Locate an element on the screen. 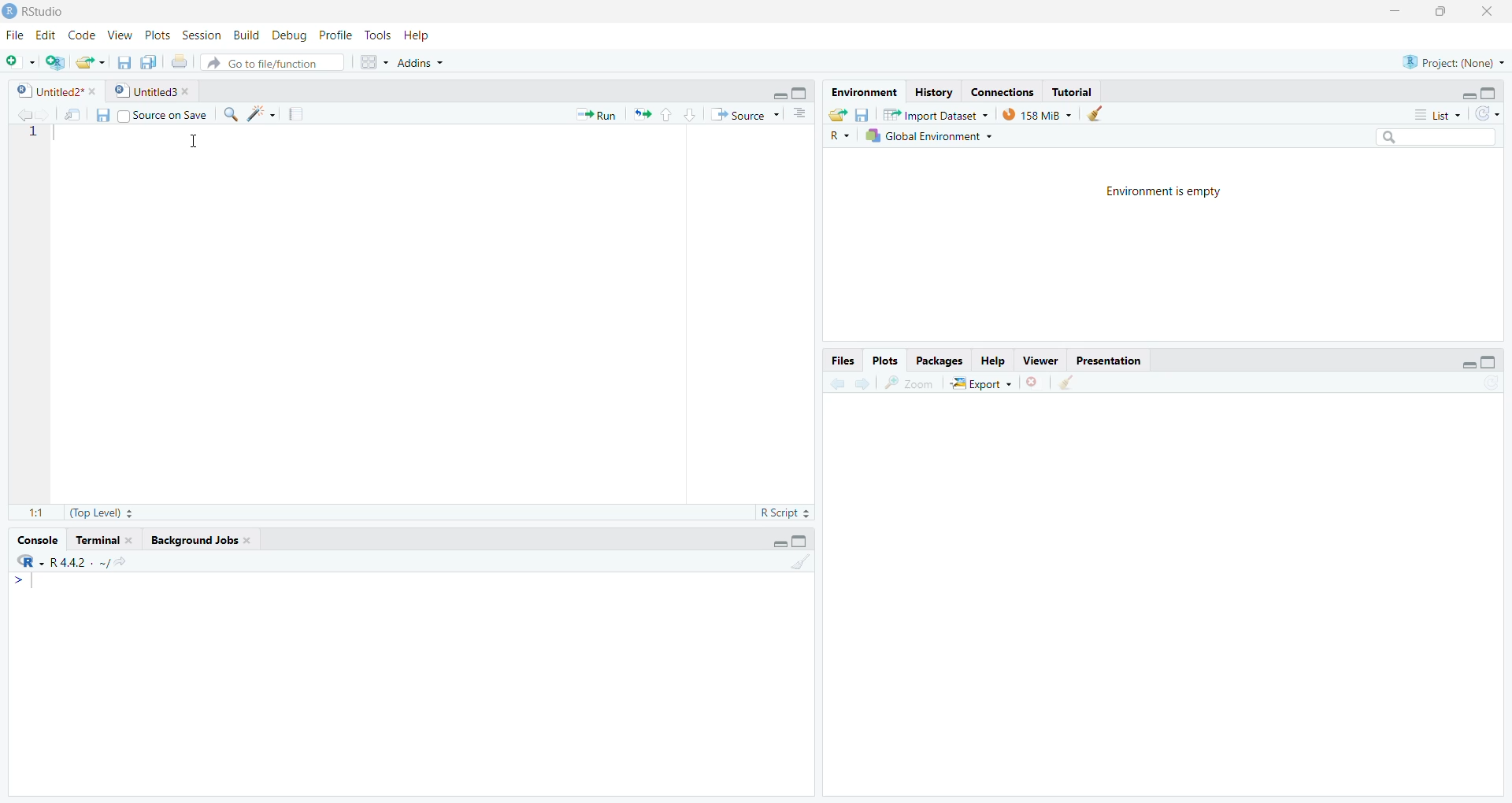  Global Environment is located at coordinates (928, 135).